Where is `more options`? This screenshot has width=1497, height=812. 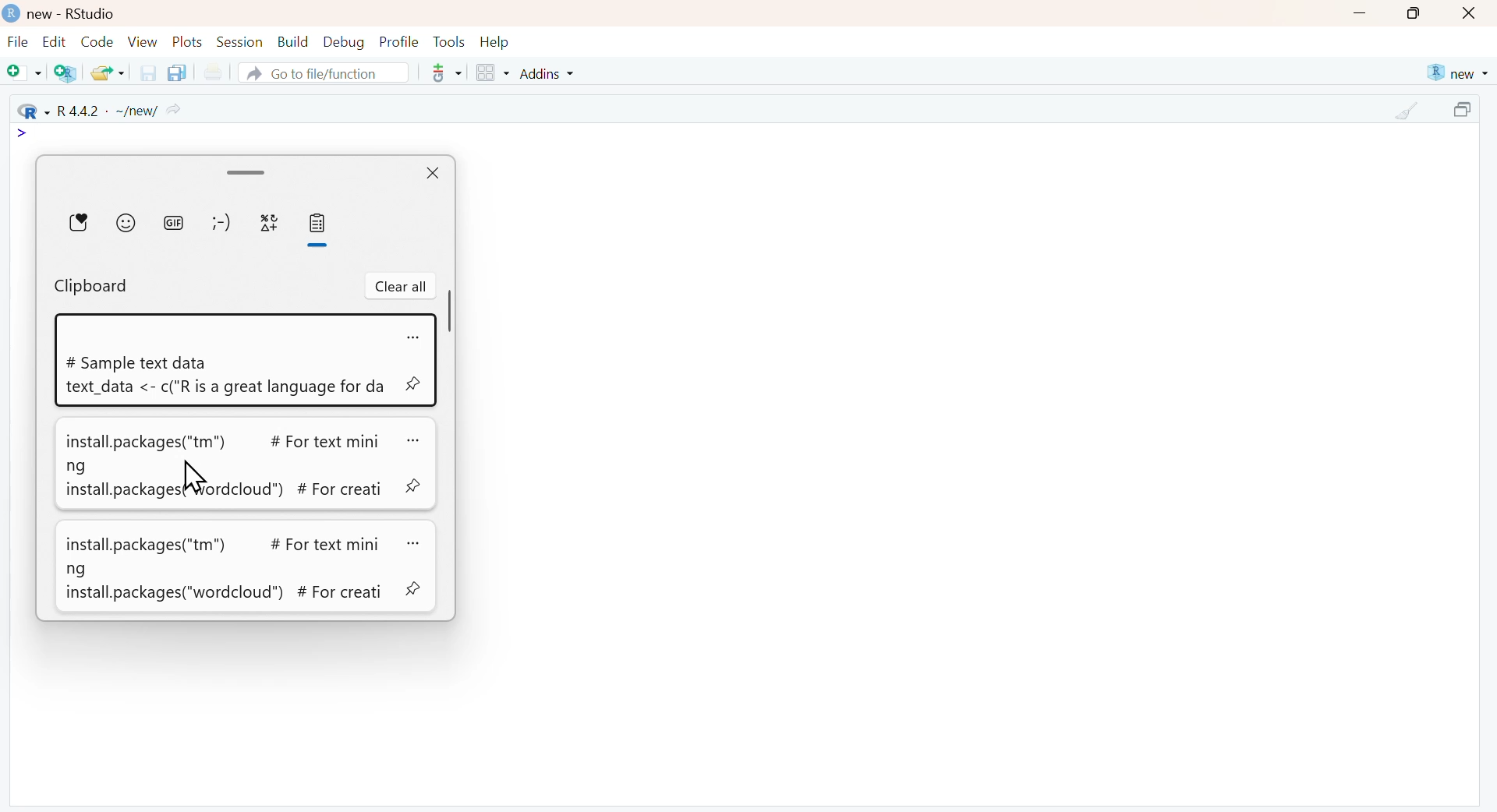
more options is located at coordinates (445, 72).